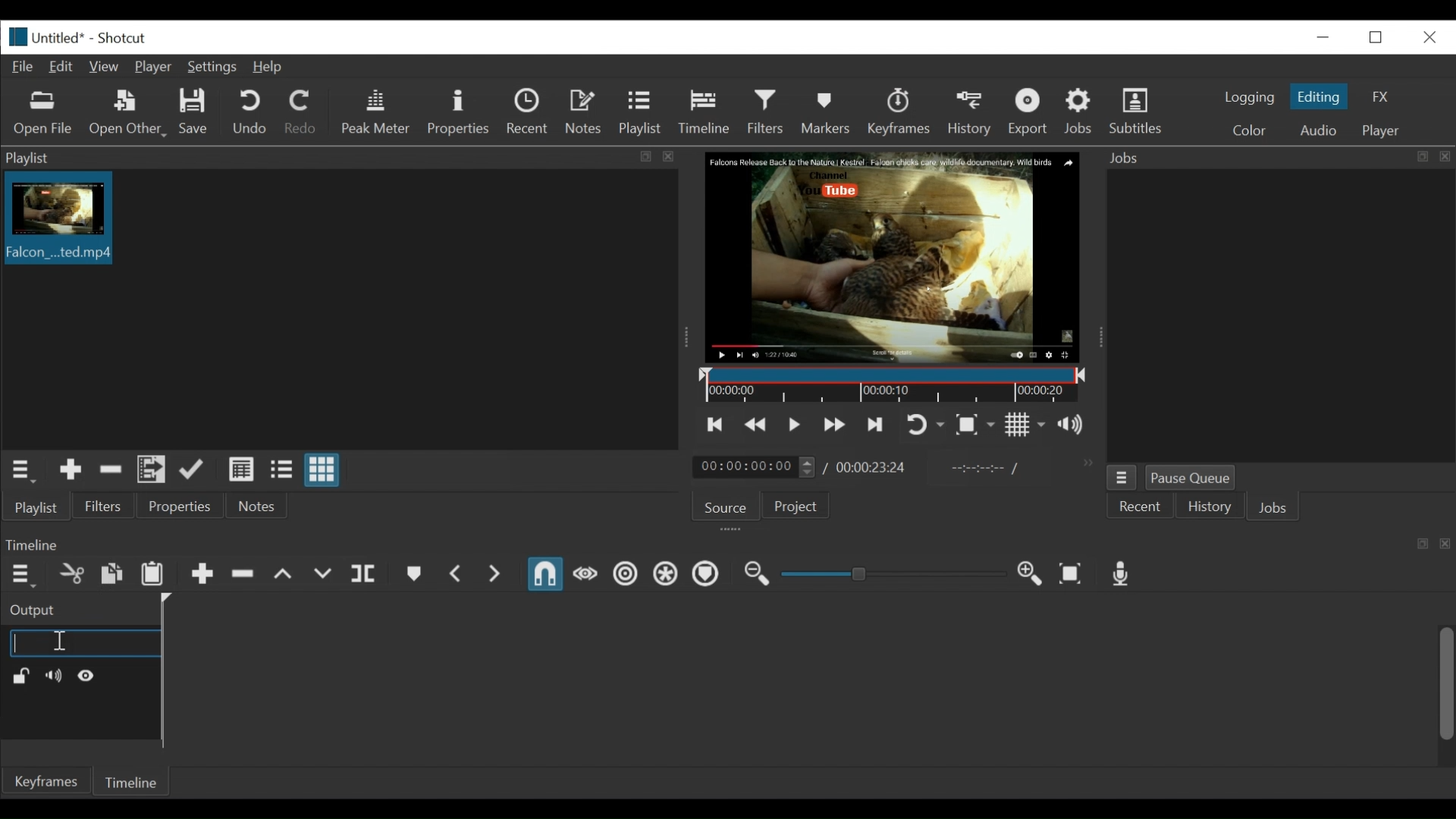 Image resolution: width=1456 pixels, height=819 pixels. I want to click on Jobs menu, so click(1123, 478).